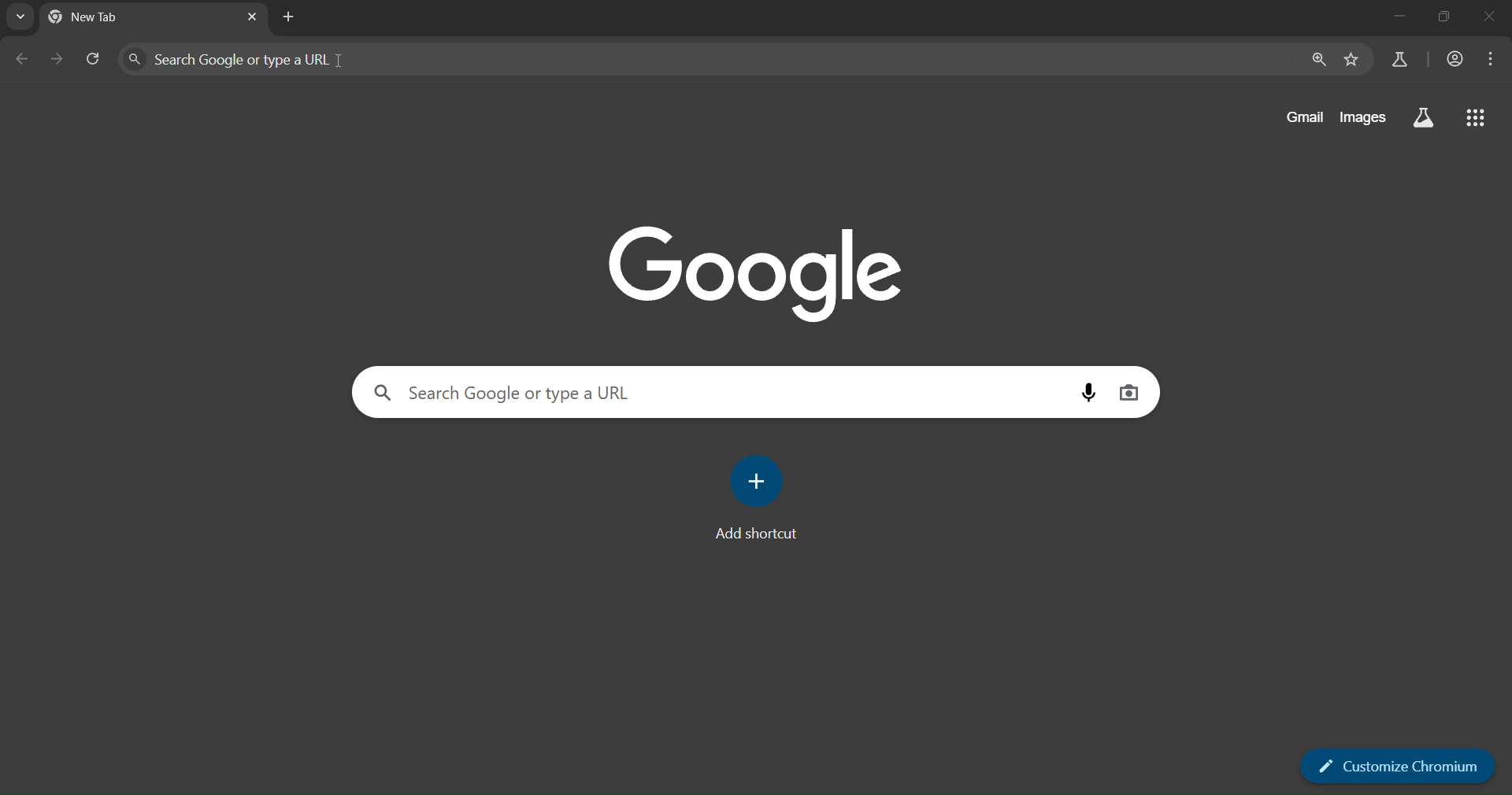  Describe the element at coordinates (291, 19) in the screenshot. I see `new tab` at that location.